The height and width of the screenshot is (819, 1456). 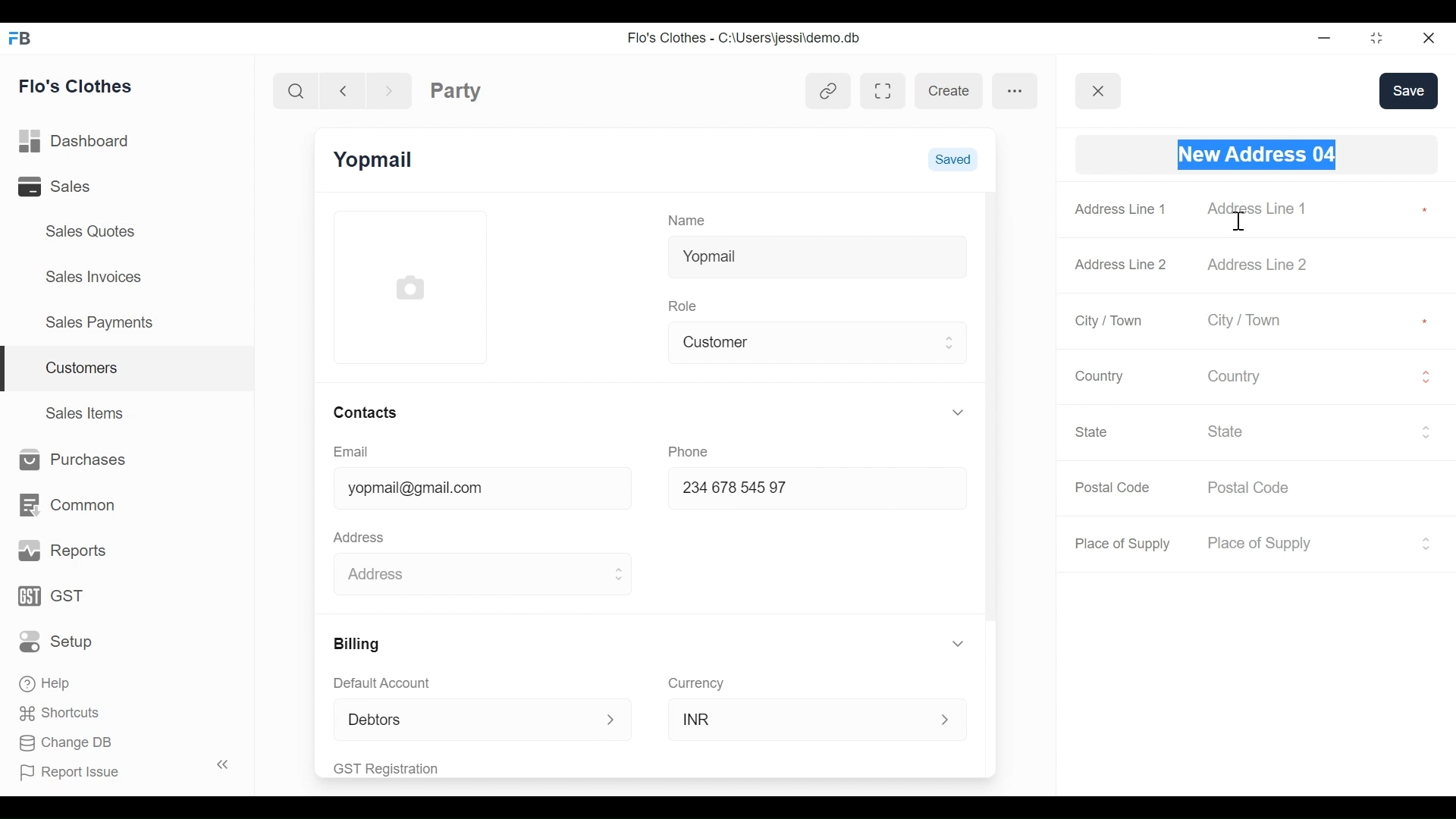 What do you see at coordinates (64, 551) in the screenshot?
I see `Reports` at bounding box center [64, 551].